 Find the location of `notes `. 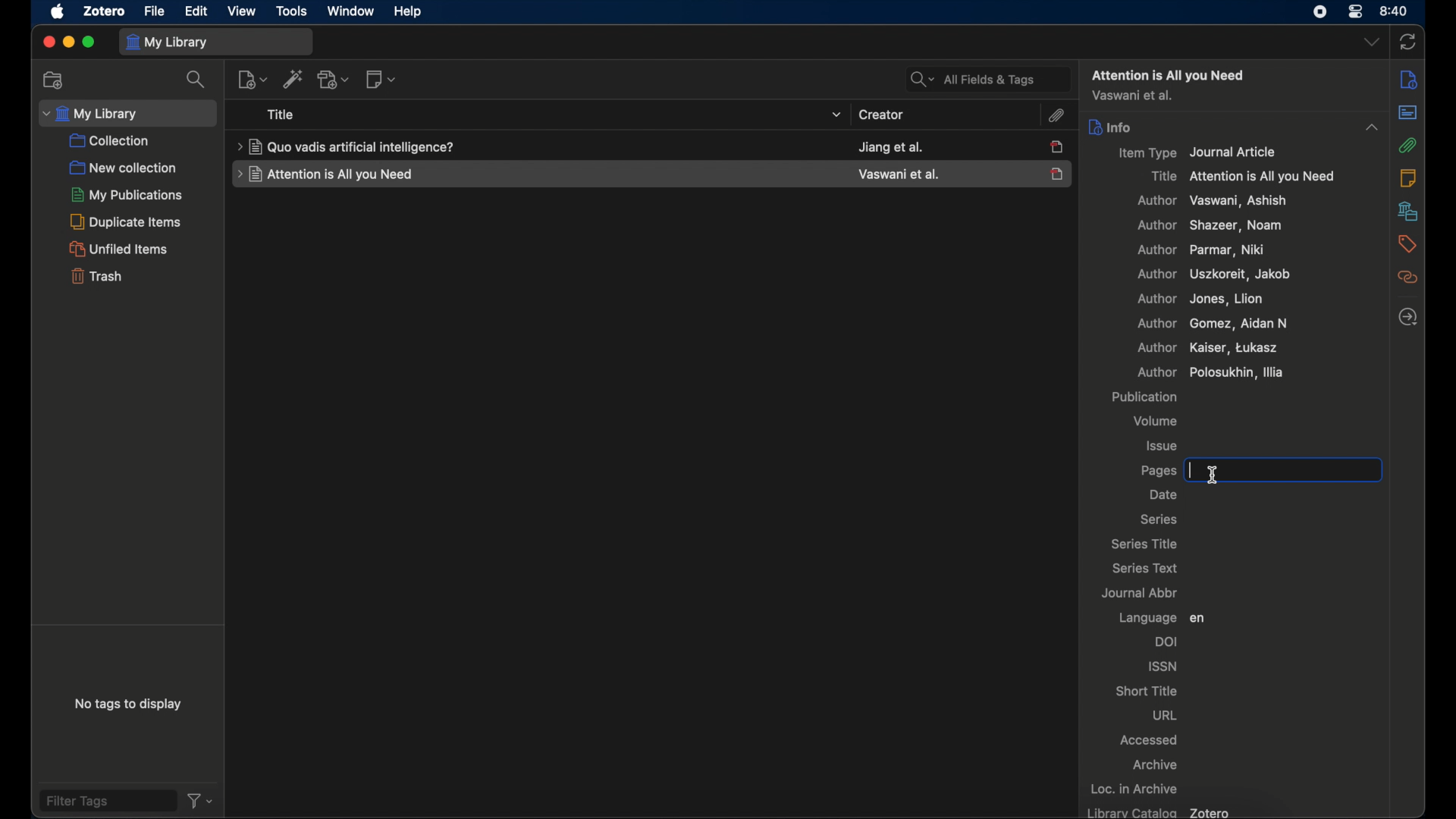

notes  is located at coordinates (1410, 179).